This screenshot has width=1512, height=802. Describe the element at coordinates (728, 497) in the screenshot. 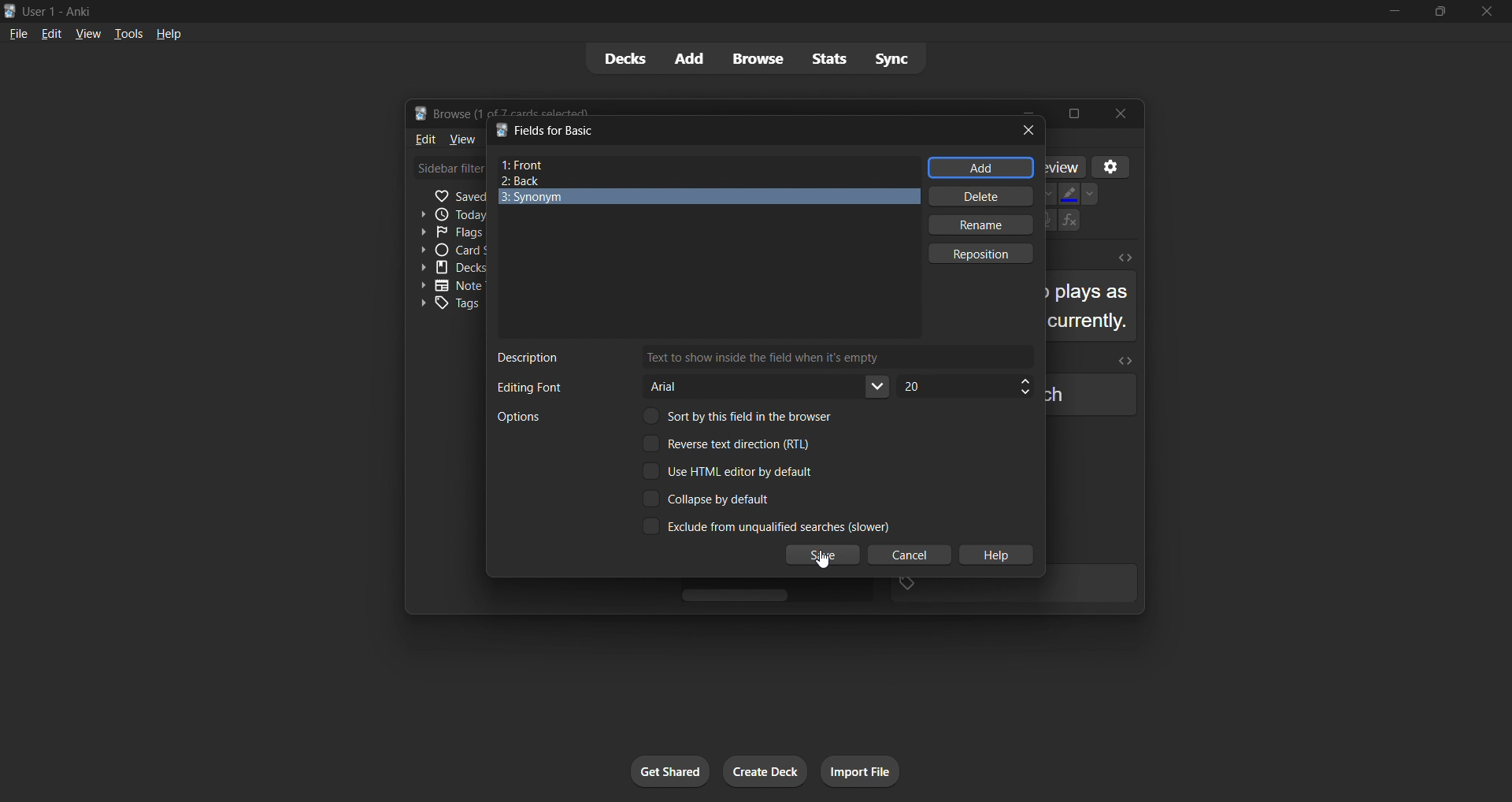

I see `Collapse by default` at that location.